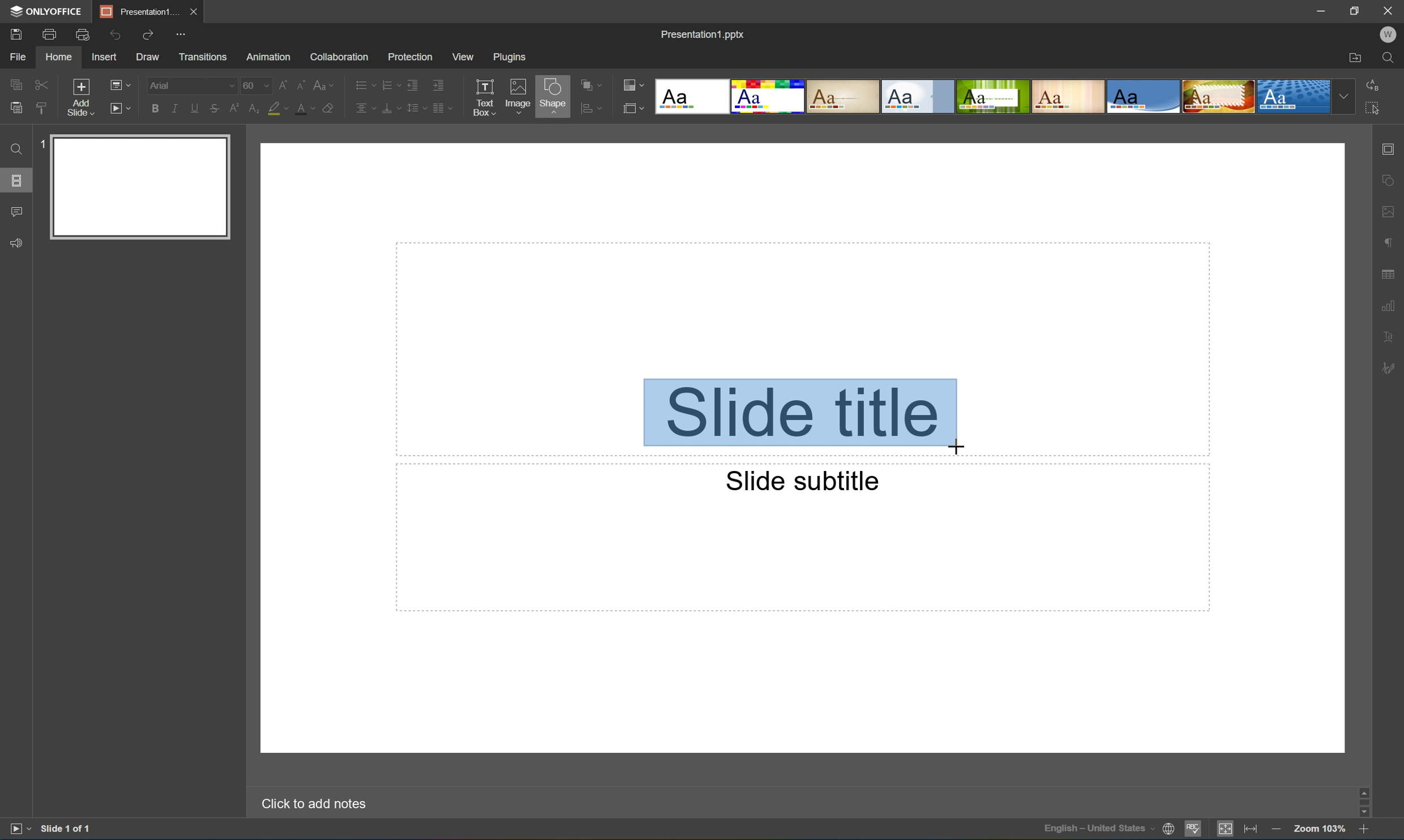 The height and width of the screenshot is (840, 1404). I want to click on Minimize, so click(1316, 10).